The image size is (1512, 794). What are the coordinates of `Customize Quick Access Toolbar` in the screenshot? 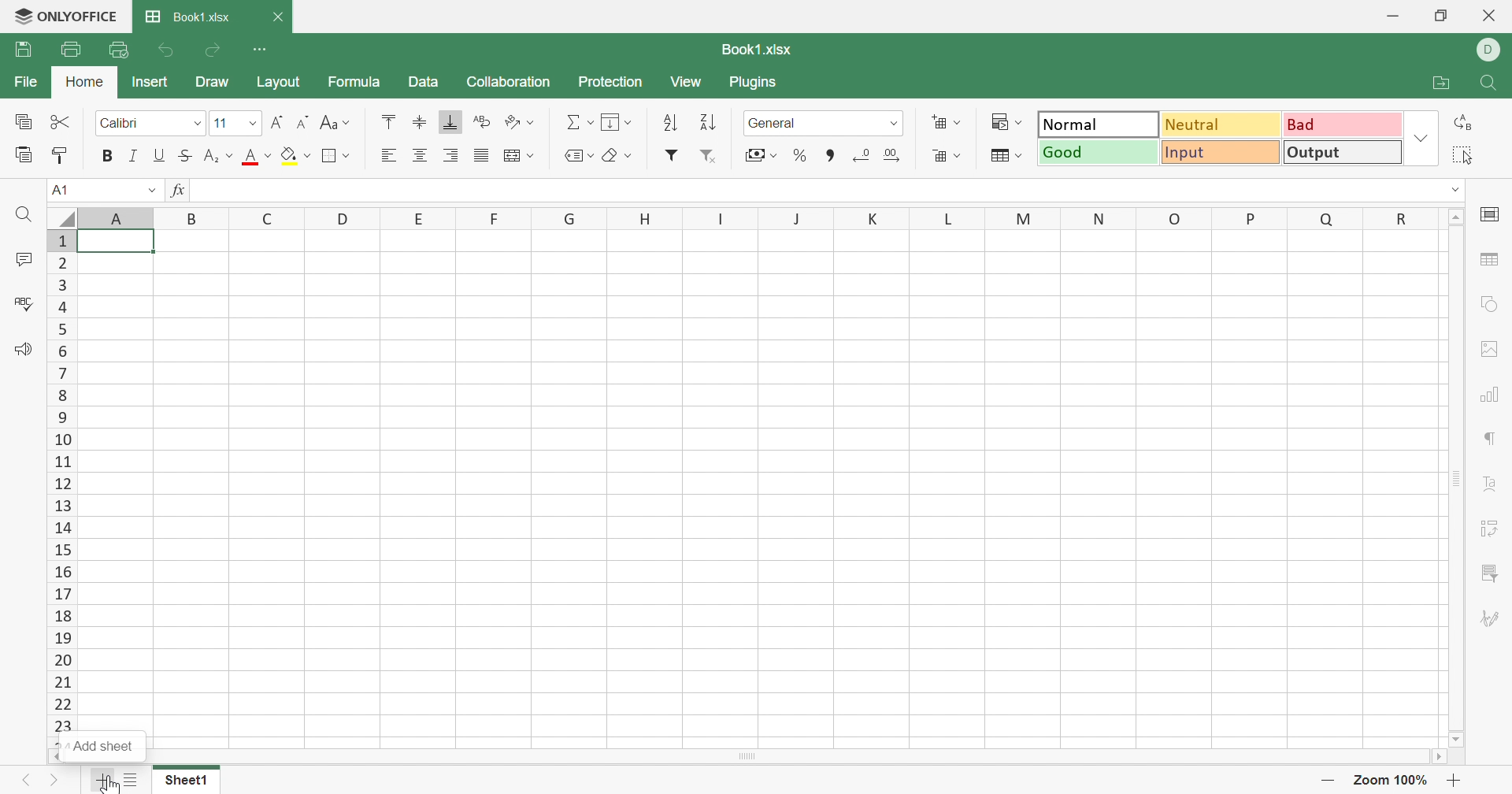 It's located at (264, 49).